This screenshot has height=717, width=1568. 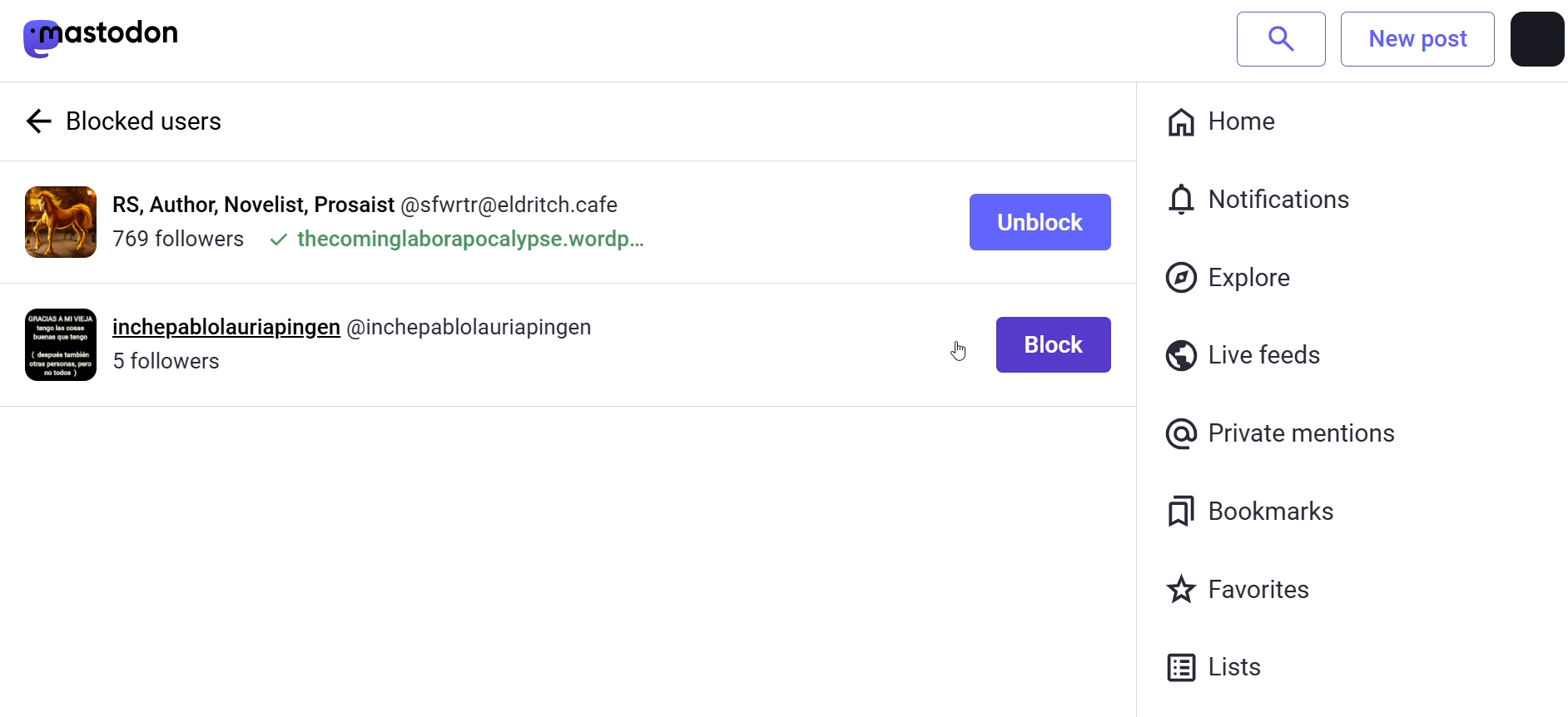 What do you see at coordinates (1536, 39) in the screenshot?
I see `profile picture` at bounding box center [1536, 39].